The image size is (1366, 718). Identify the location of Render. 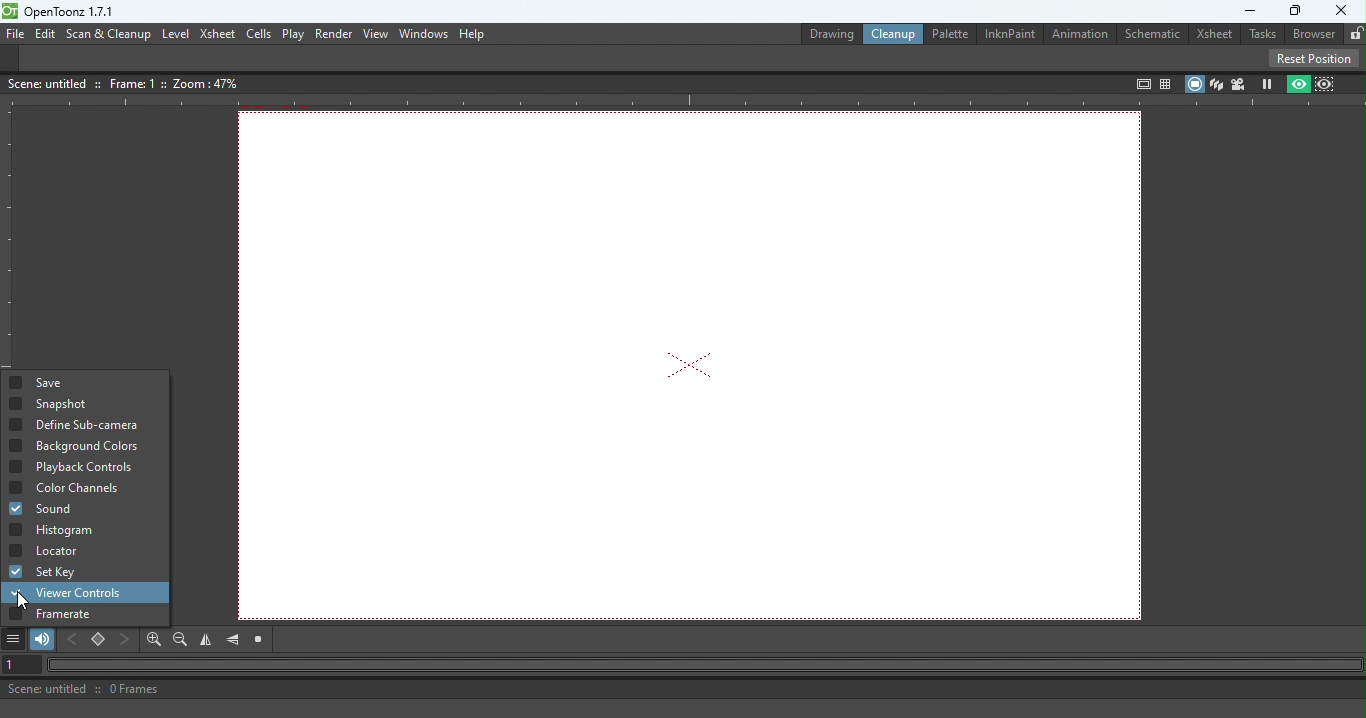
(331, 33).